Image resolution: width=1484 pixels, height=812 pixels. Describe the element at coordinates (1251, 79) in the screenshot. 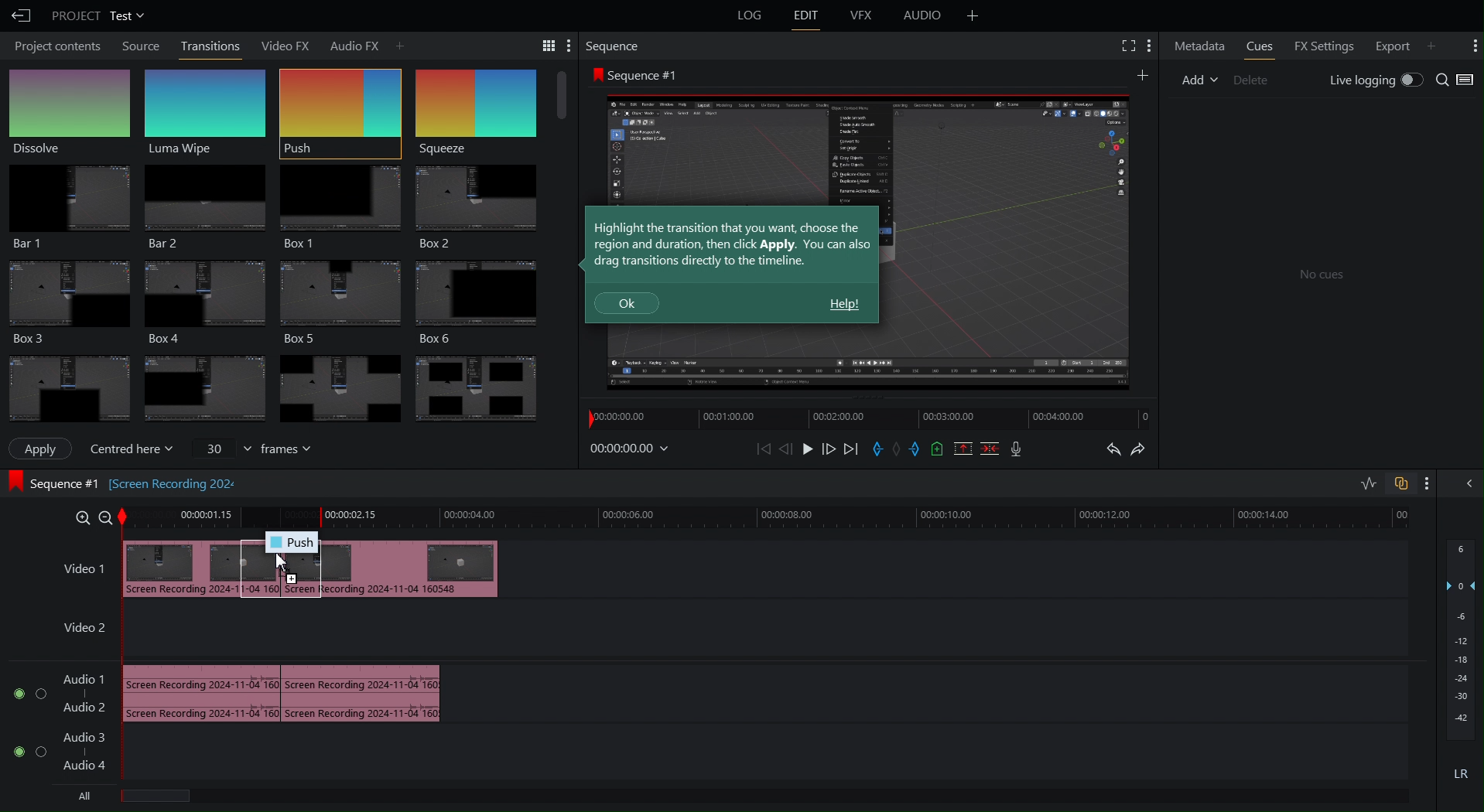

I see `Delete` at that location.